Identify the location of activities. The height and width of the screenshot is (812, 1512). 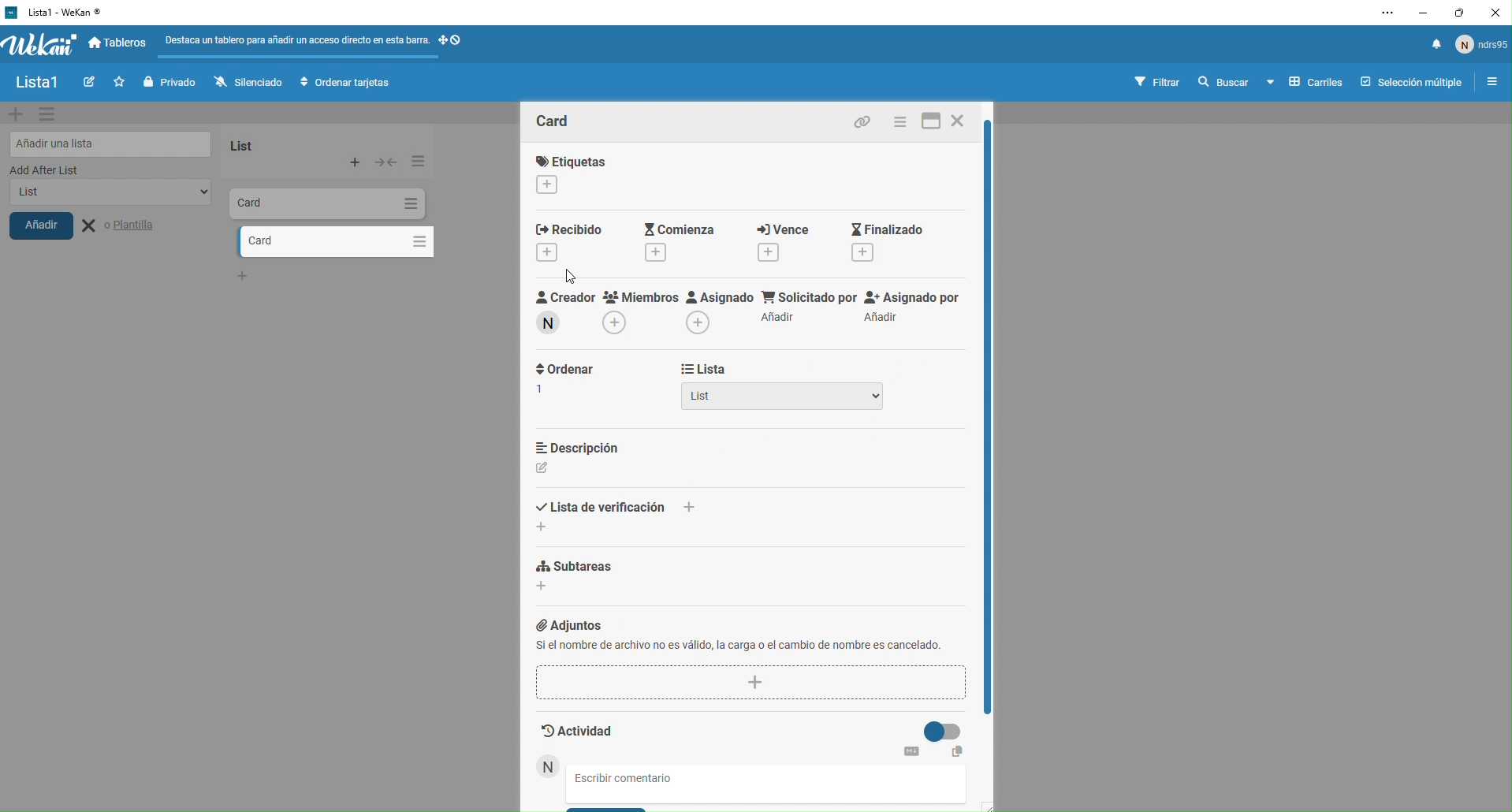
(754, 737).